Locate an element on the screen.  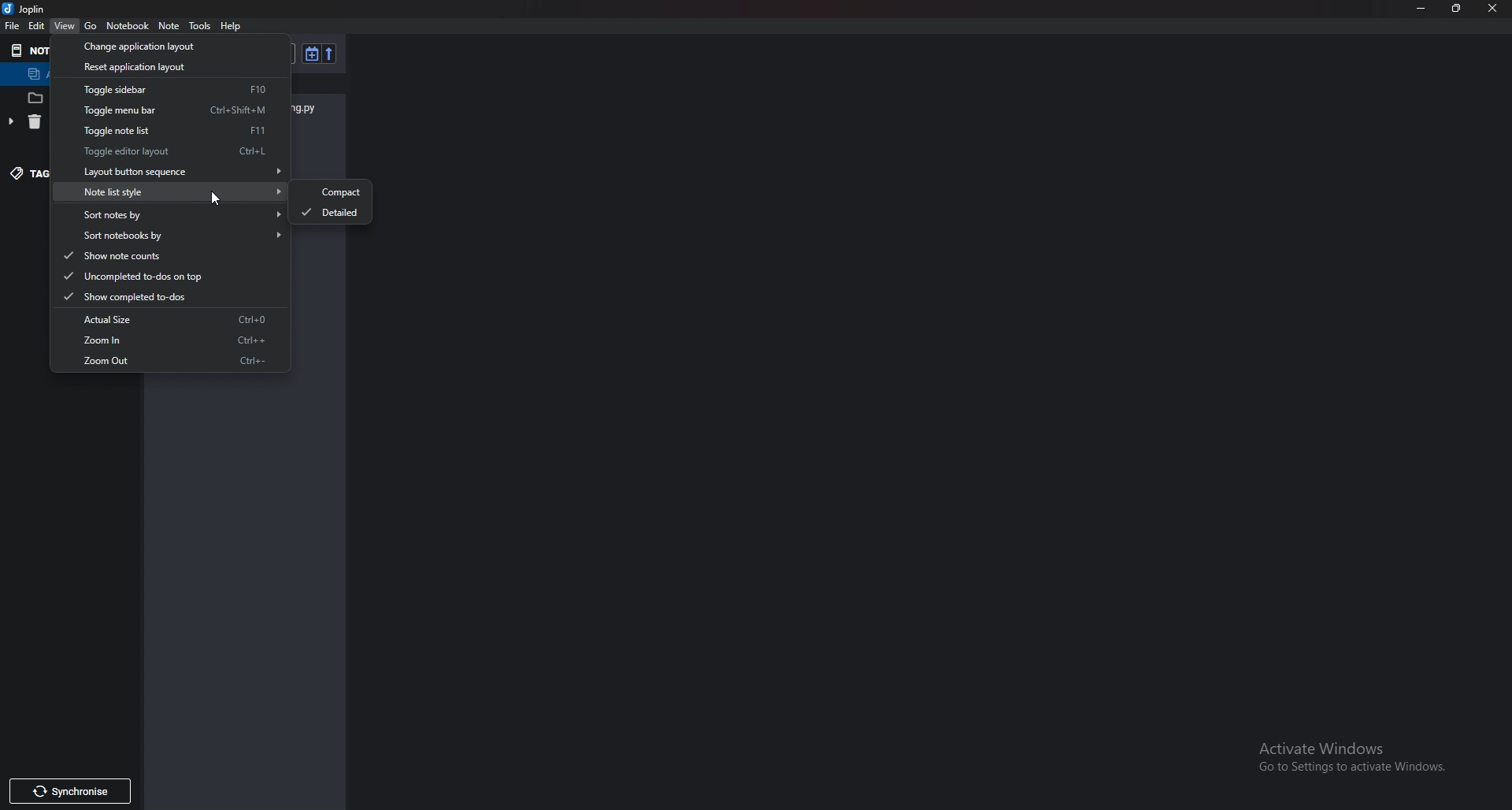
File is located at coordinates (13, 26).